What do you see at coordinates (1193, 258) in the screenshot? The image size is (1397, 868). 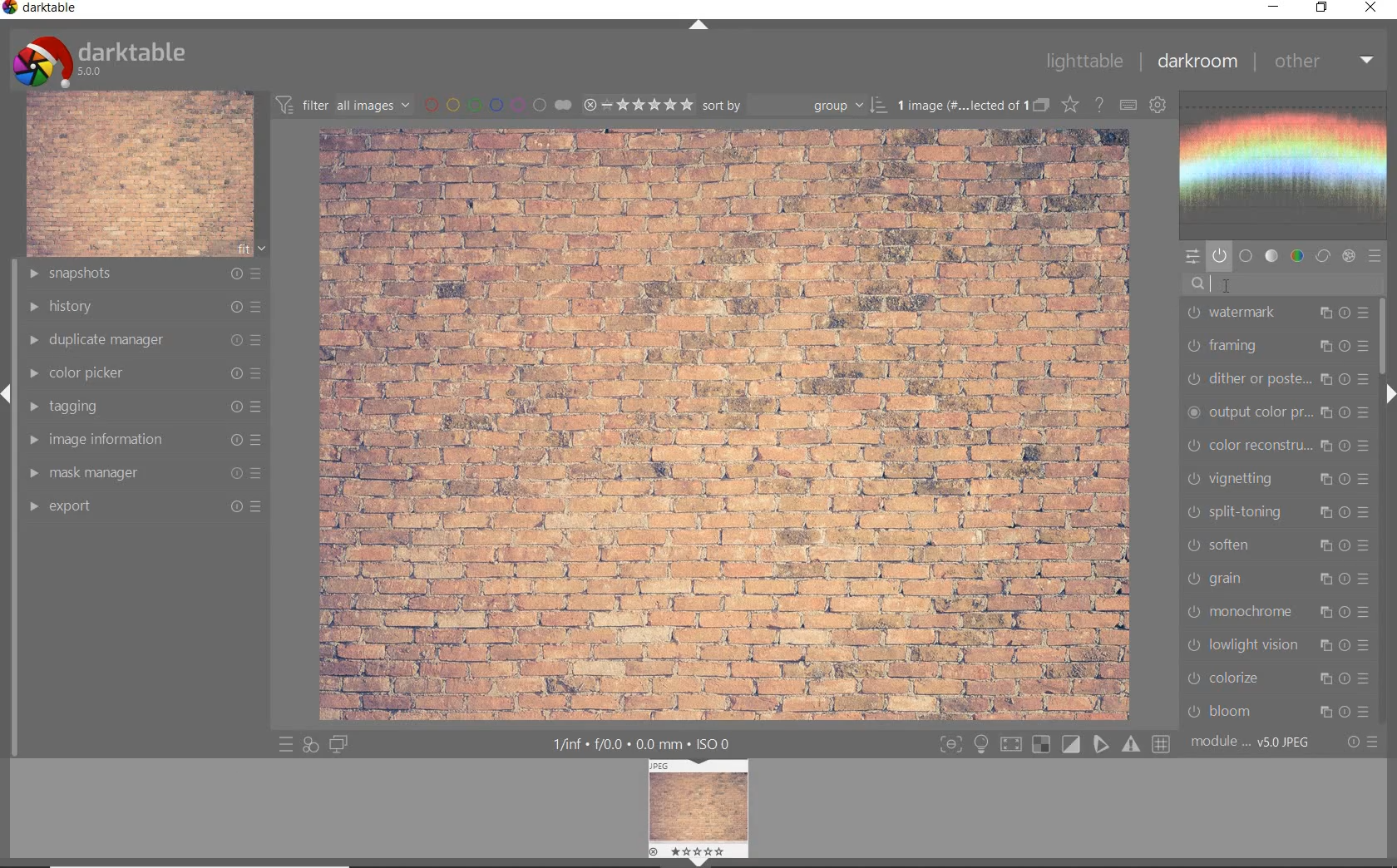 I see `quick access panel` at bounding box center [1193, 258].